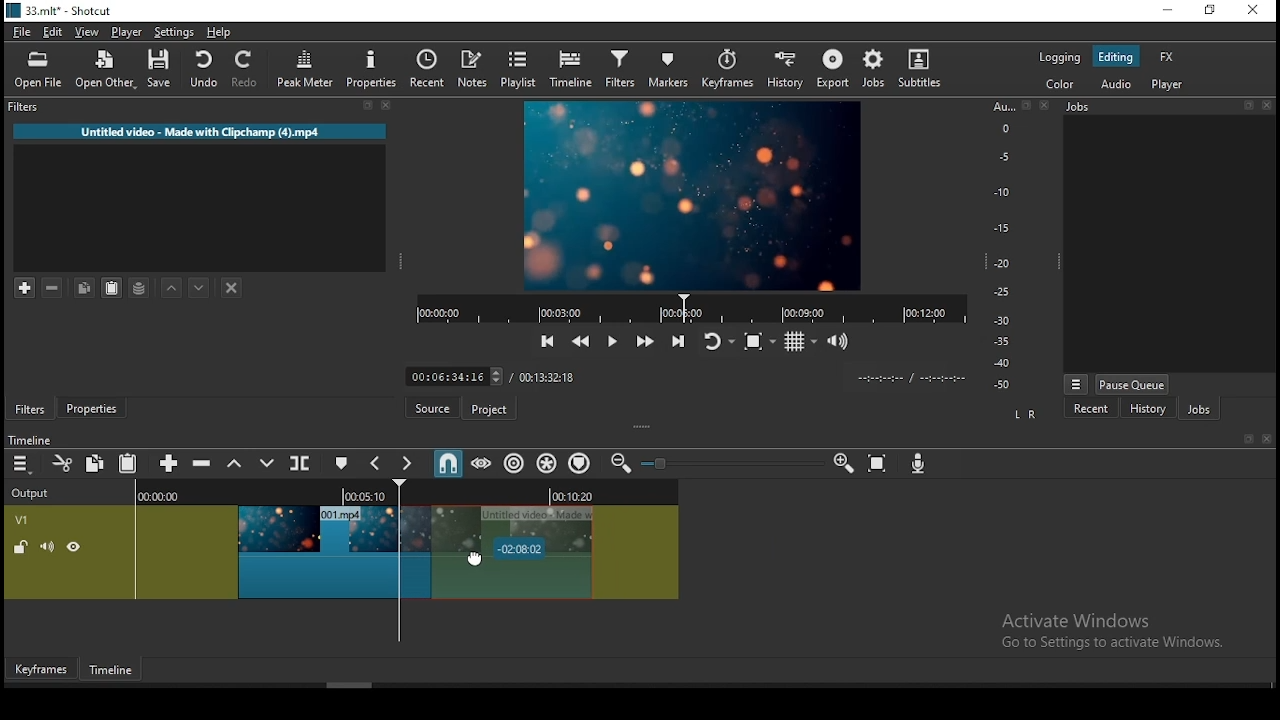 This screenshot has height=720, width=1280. I want to click on ripple delete, so click(204, 463).